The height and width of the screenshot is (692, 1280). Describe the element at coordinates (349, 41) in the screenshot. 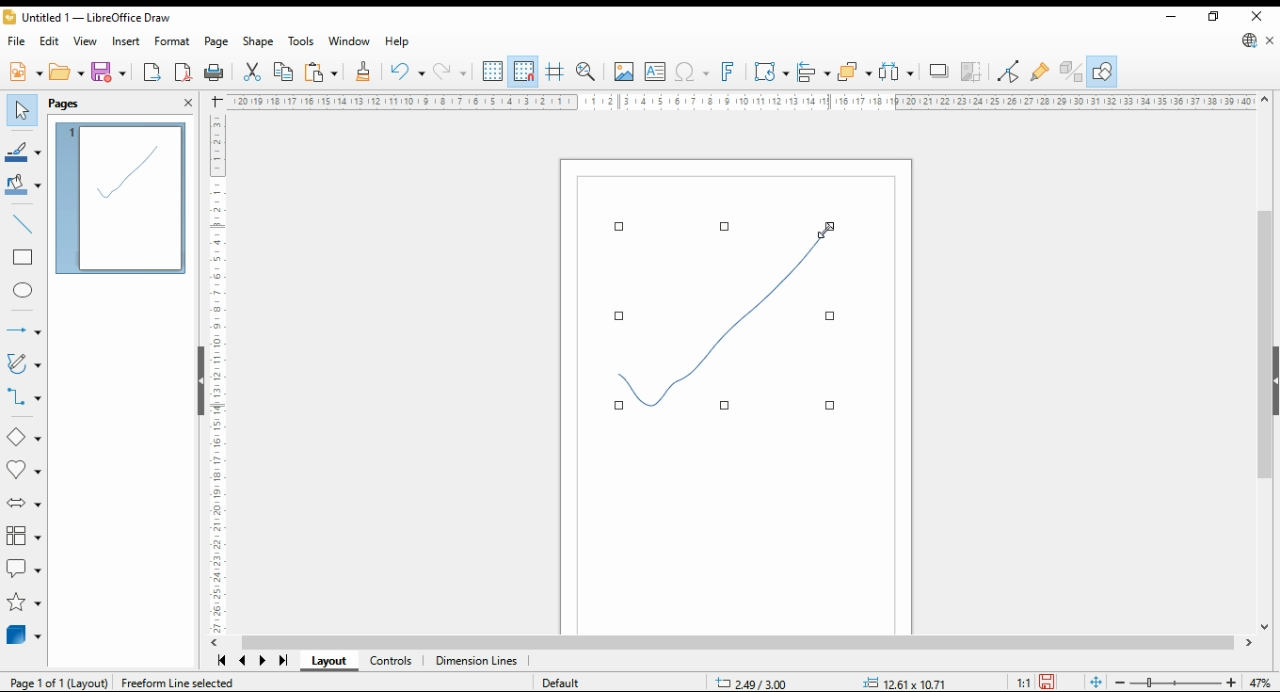

I see `window` at that location.